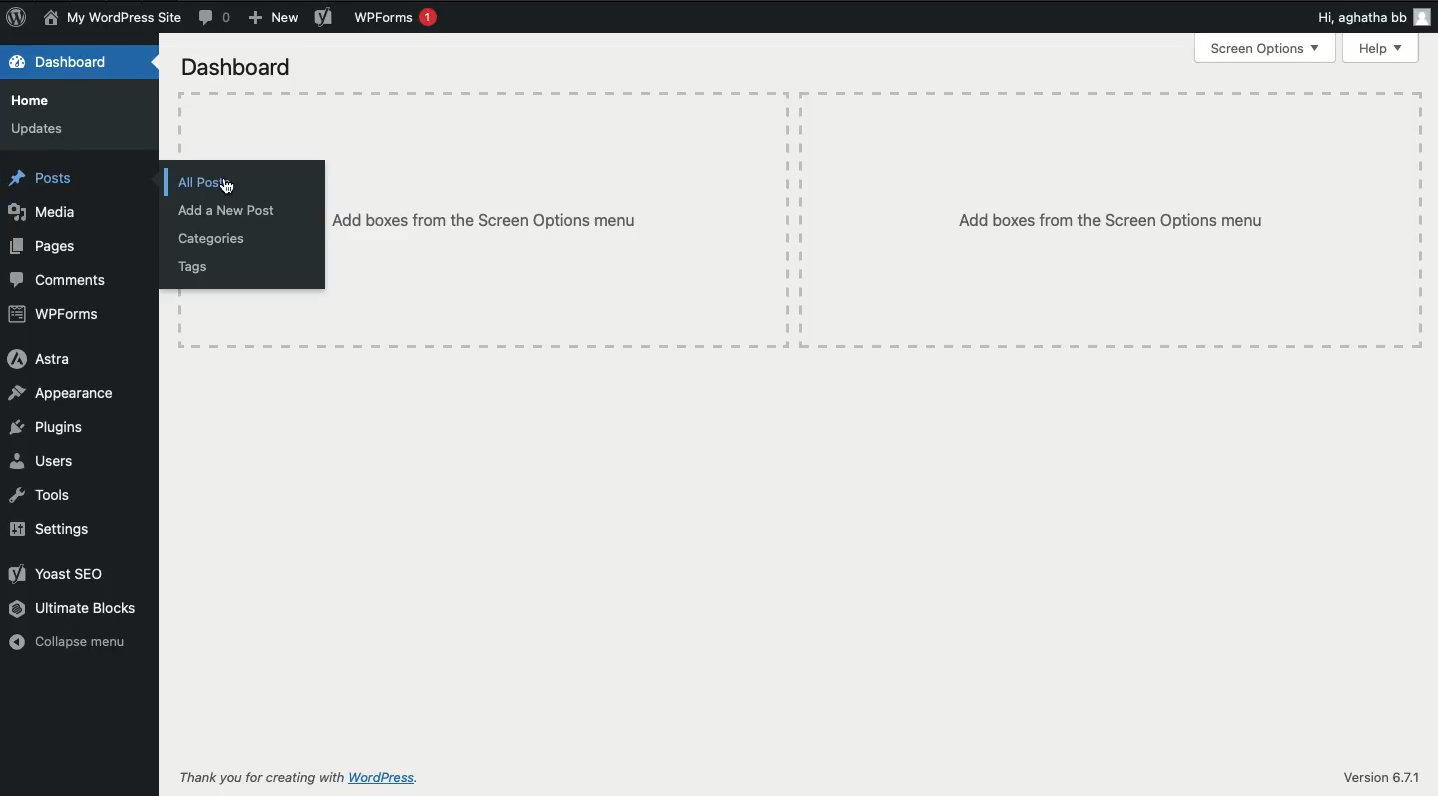 The height and width of the screenshot is (796, 1438). What do you see at coordinates (112, 19) in the screenshot?
I see `Name` at bounding box center [112, 19].